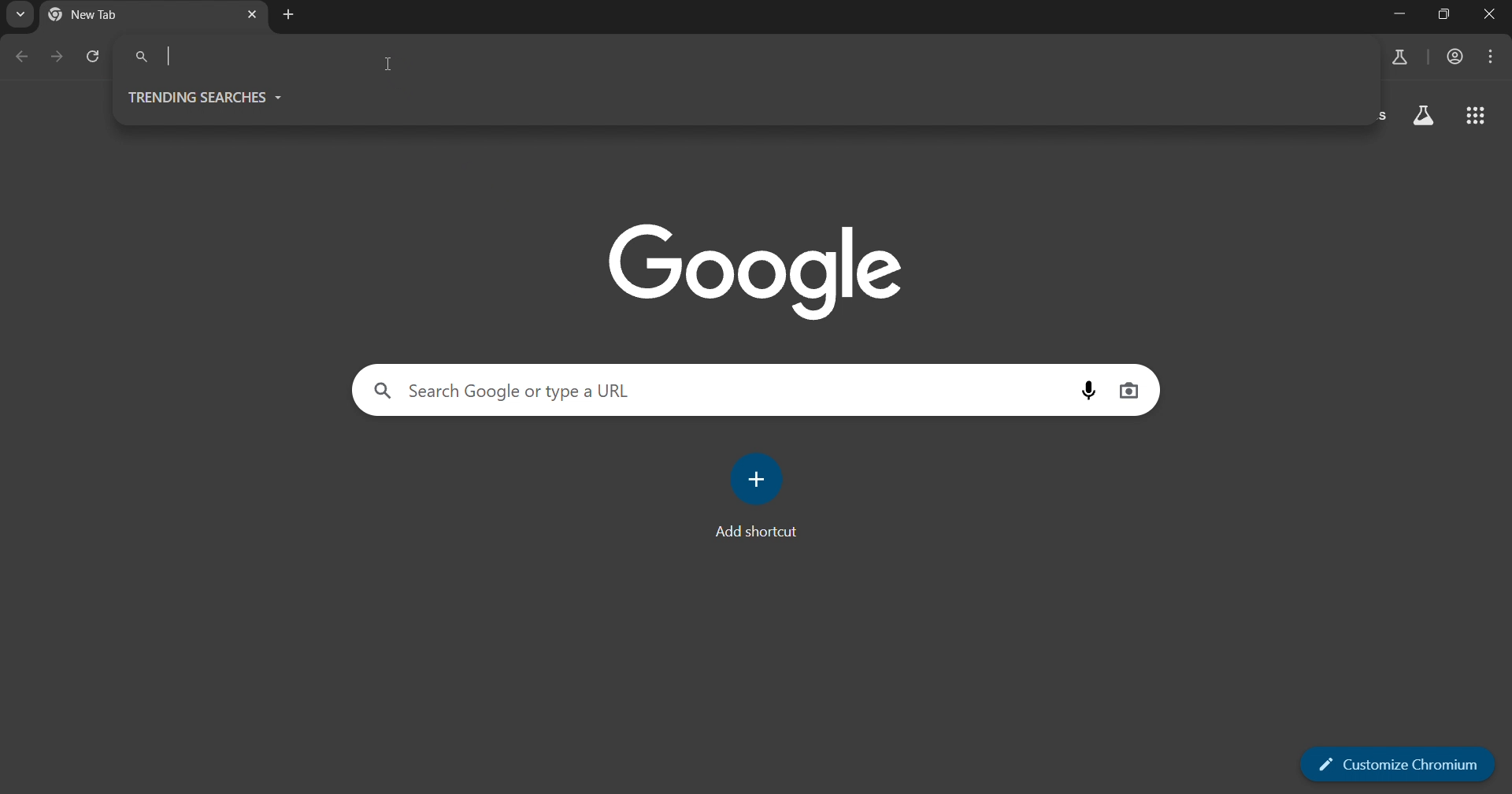  I want to click on Minimize, so click(1396, 17).